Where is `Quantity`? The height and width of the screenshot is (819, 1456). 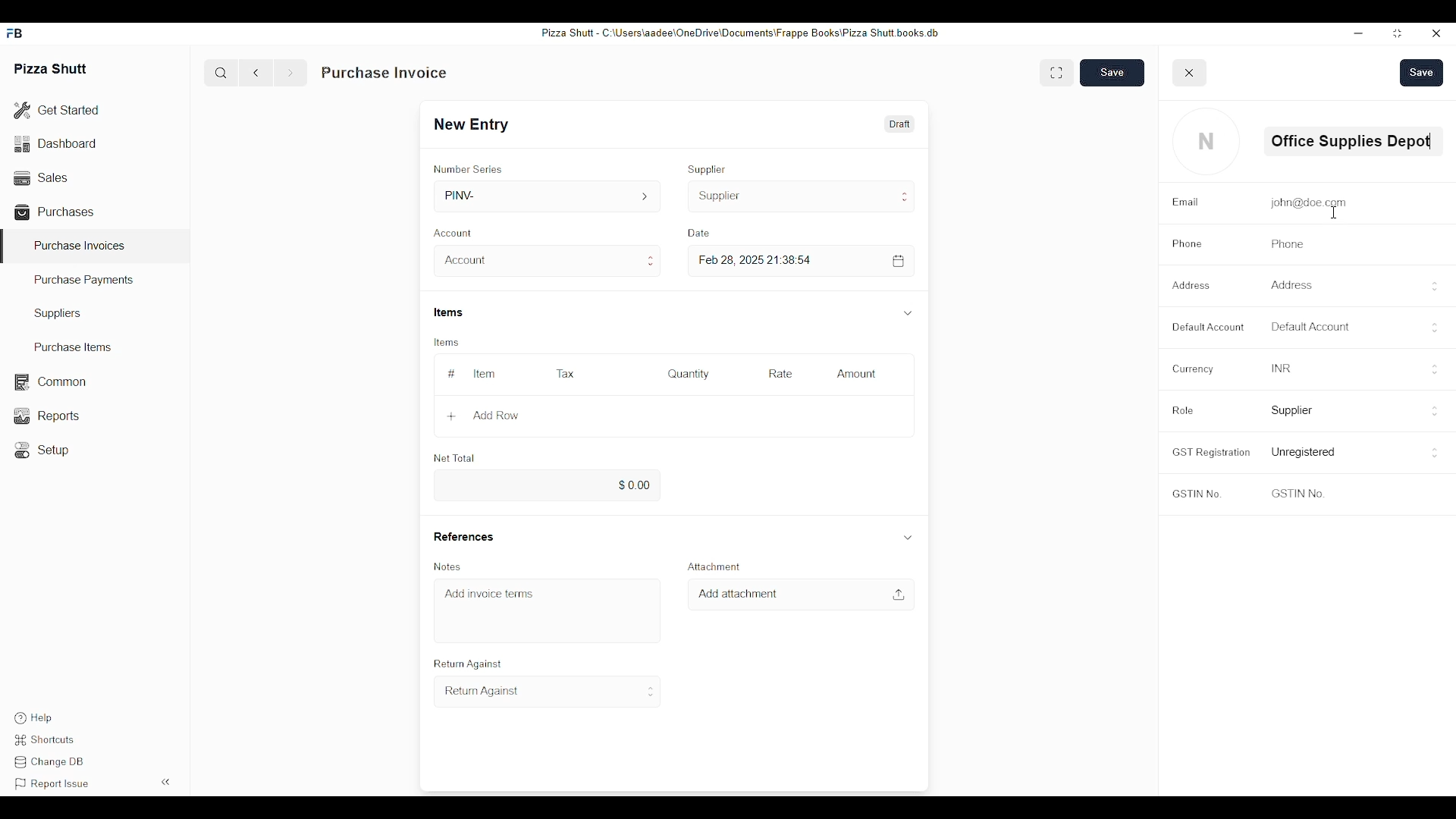
Quantity is located at coordinates (688, 374).